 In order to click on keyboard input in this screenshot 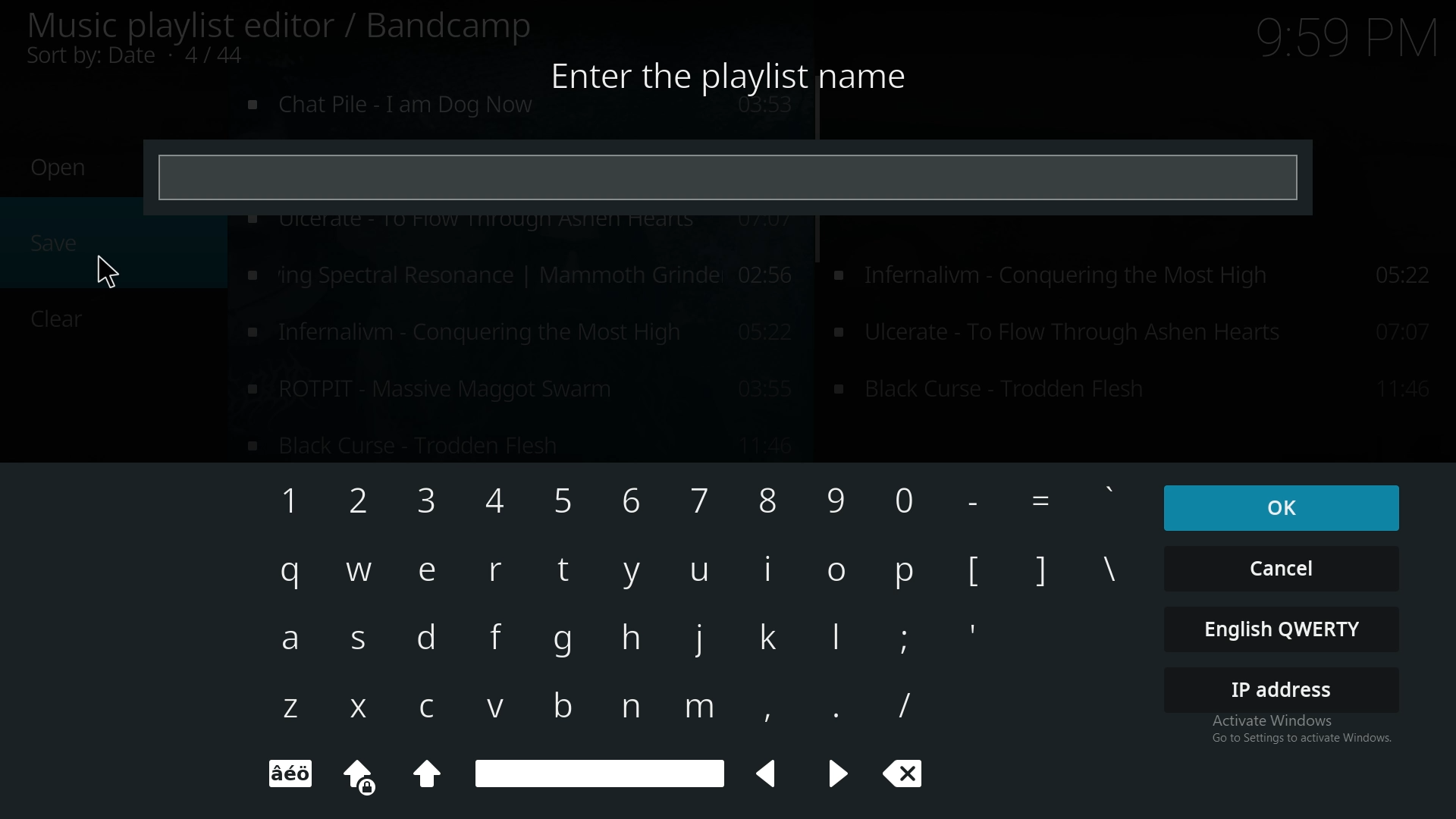, I will do `click(769, 504)`.